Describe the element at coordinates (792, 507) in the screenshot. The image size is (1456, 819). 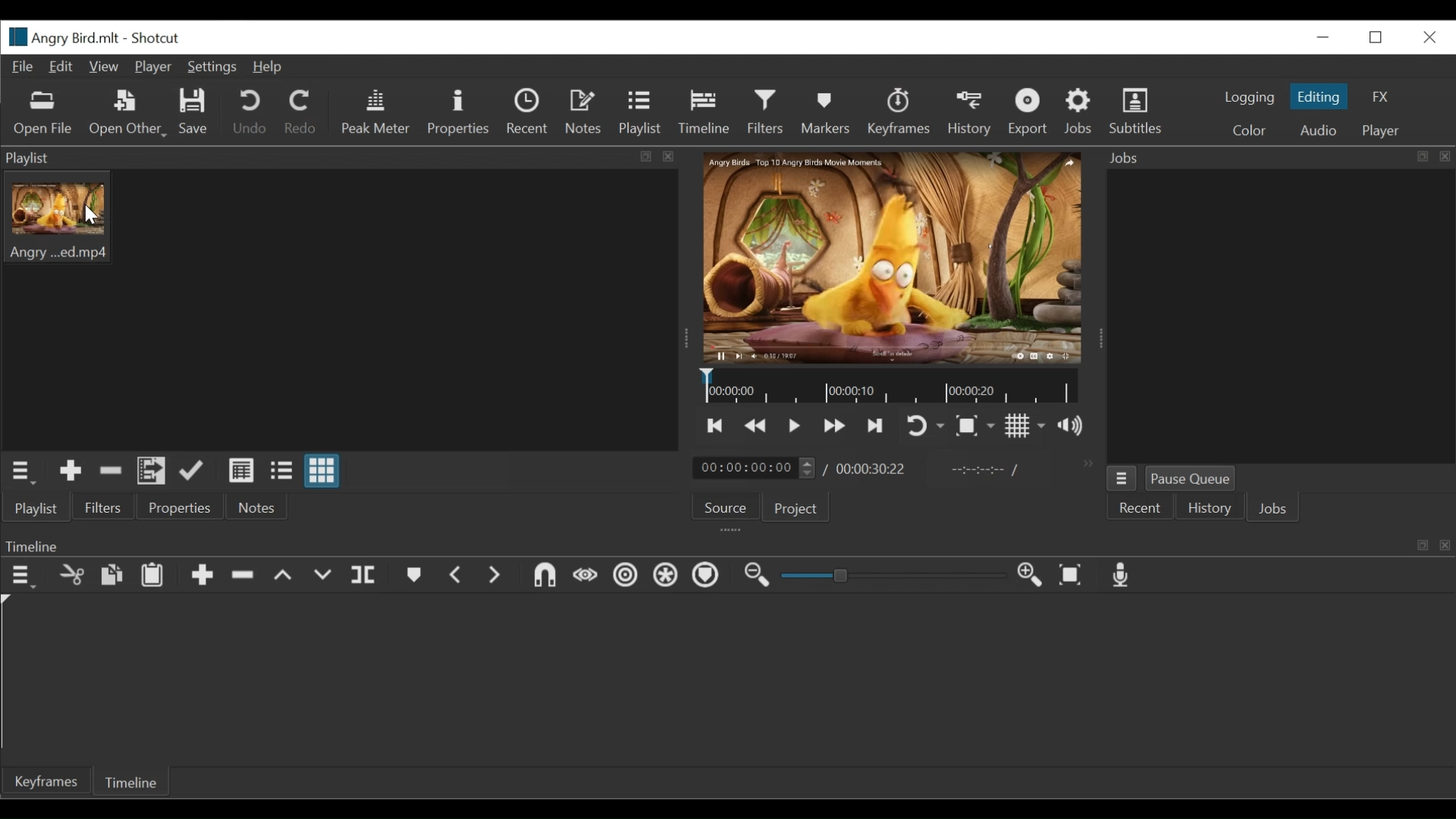
I see `Project` at that location.